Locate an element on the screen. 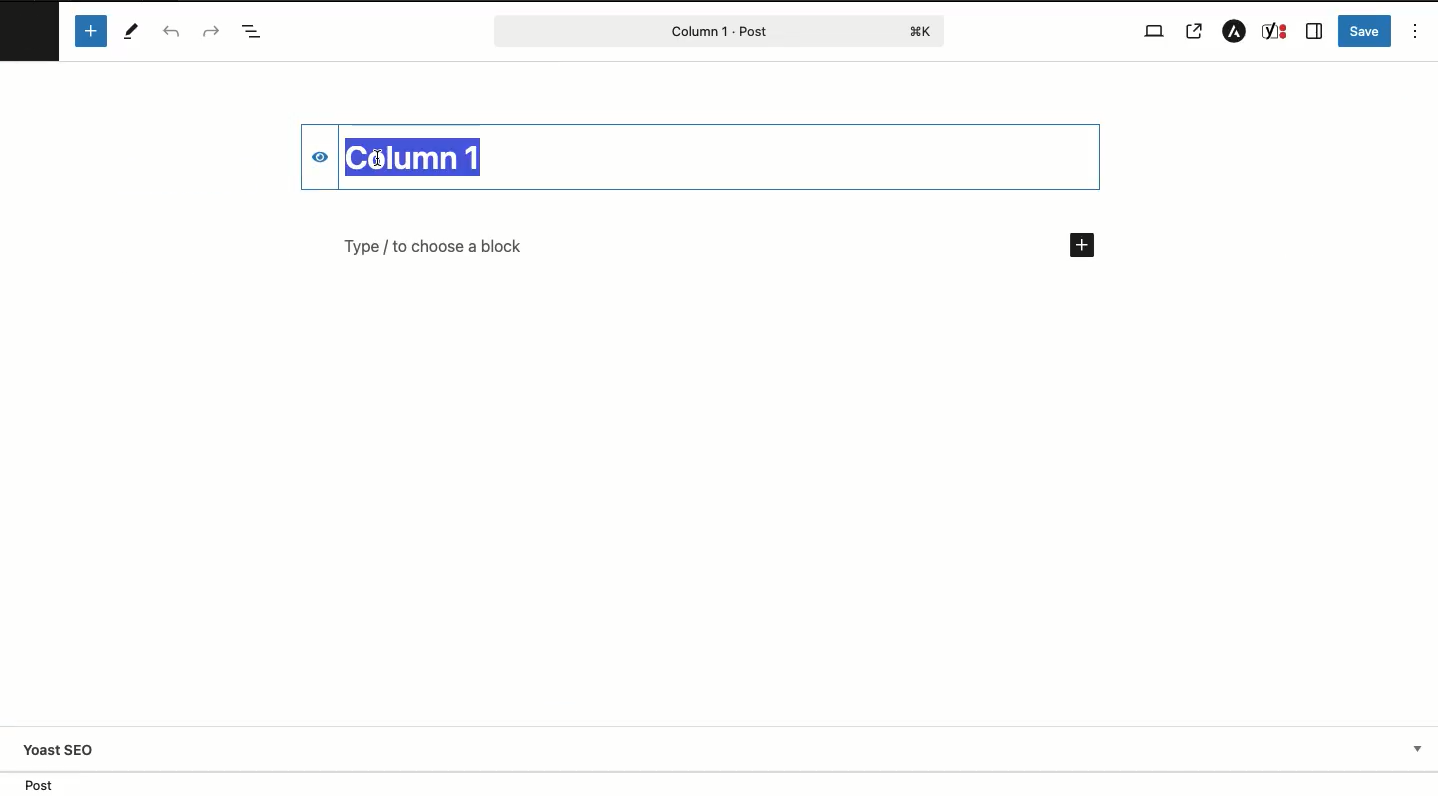 The width and height of the screenshot is (1438, 796). View is located at coordinates (1151, 30).